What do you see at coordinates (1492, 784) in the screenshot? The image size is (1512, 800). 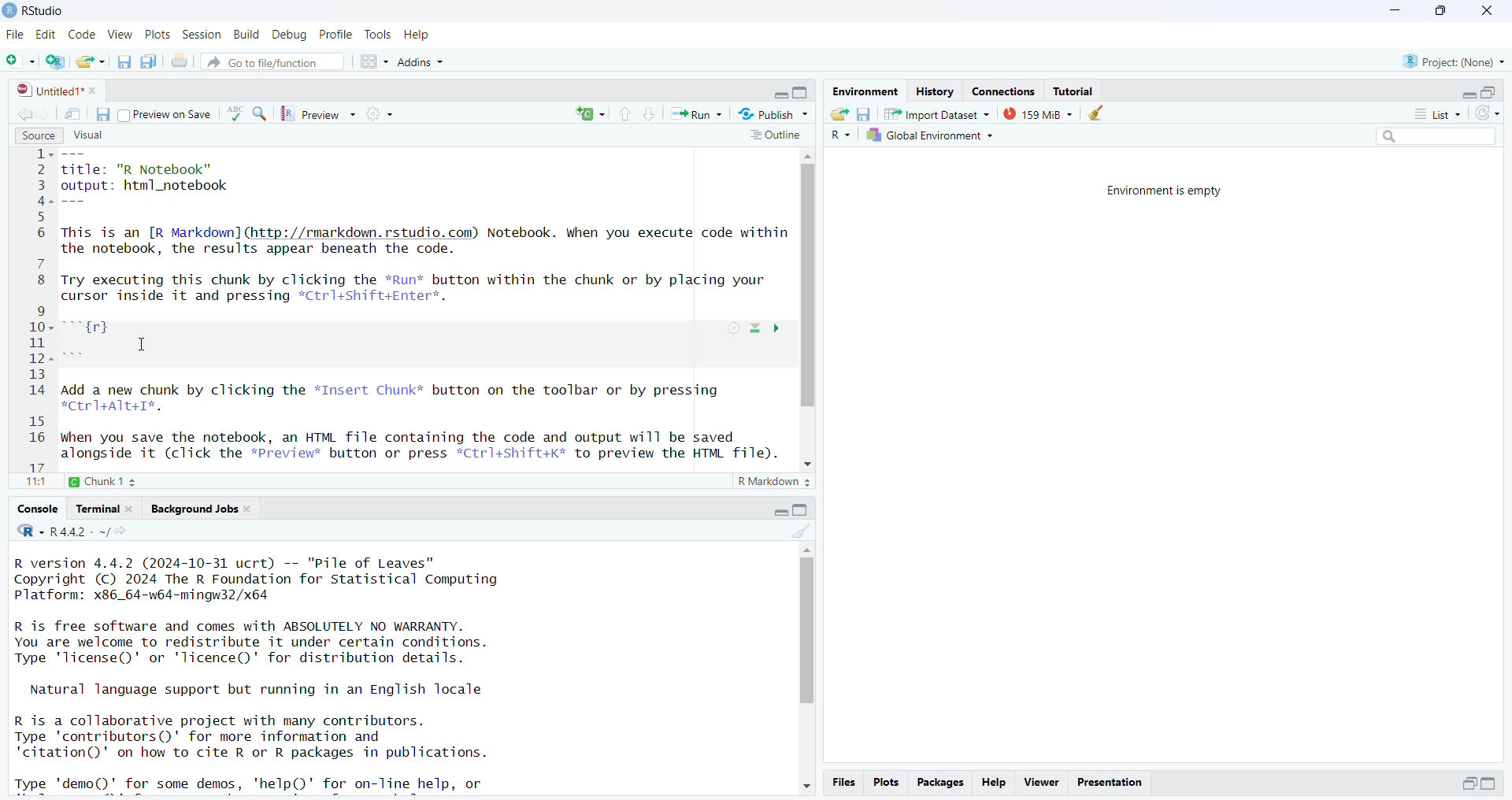 I see `expand` at bounding box center [1492, 784].